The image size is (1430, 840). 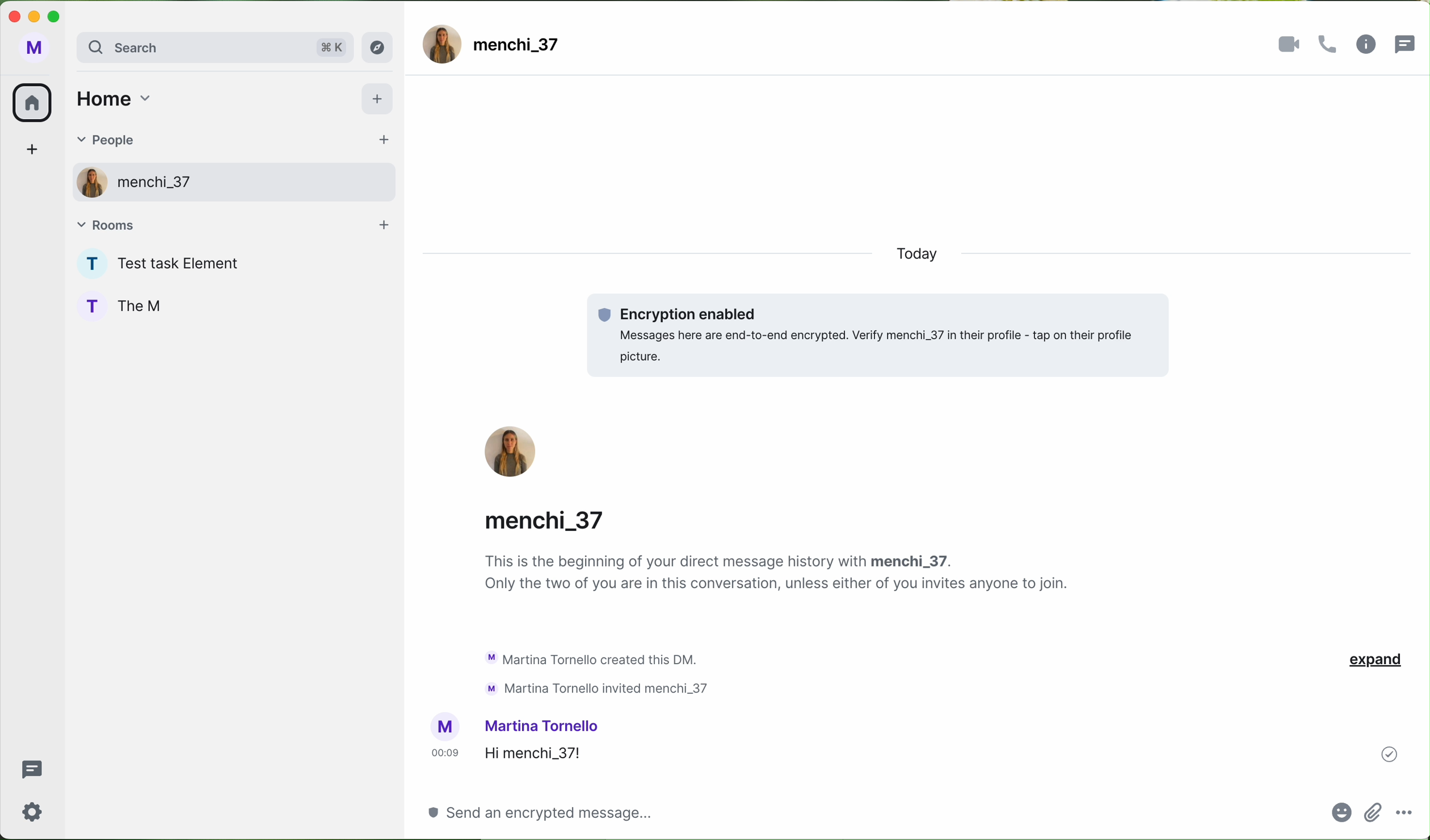 What do you see at coordinates (600, 672) in the screenshot?
I see `activity chat` at bounding box center [600, 672].